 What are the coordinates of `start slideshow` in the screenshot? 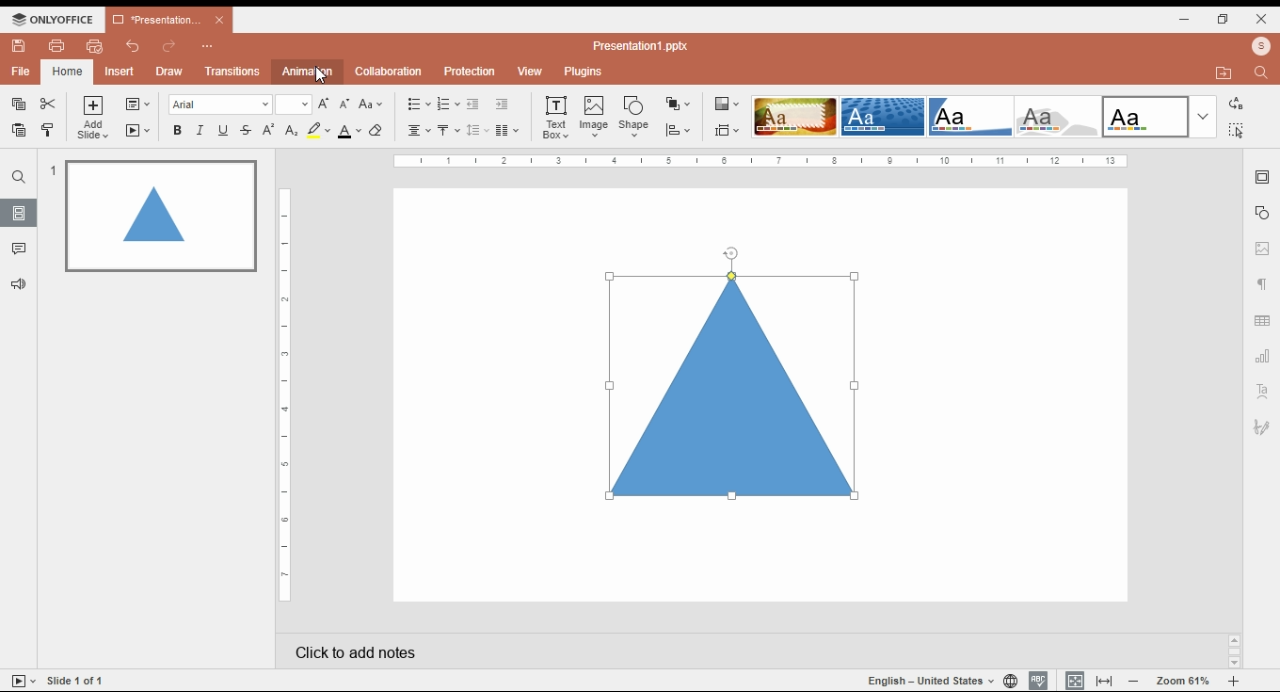 It's located at (136, 130).